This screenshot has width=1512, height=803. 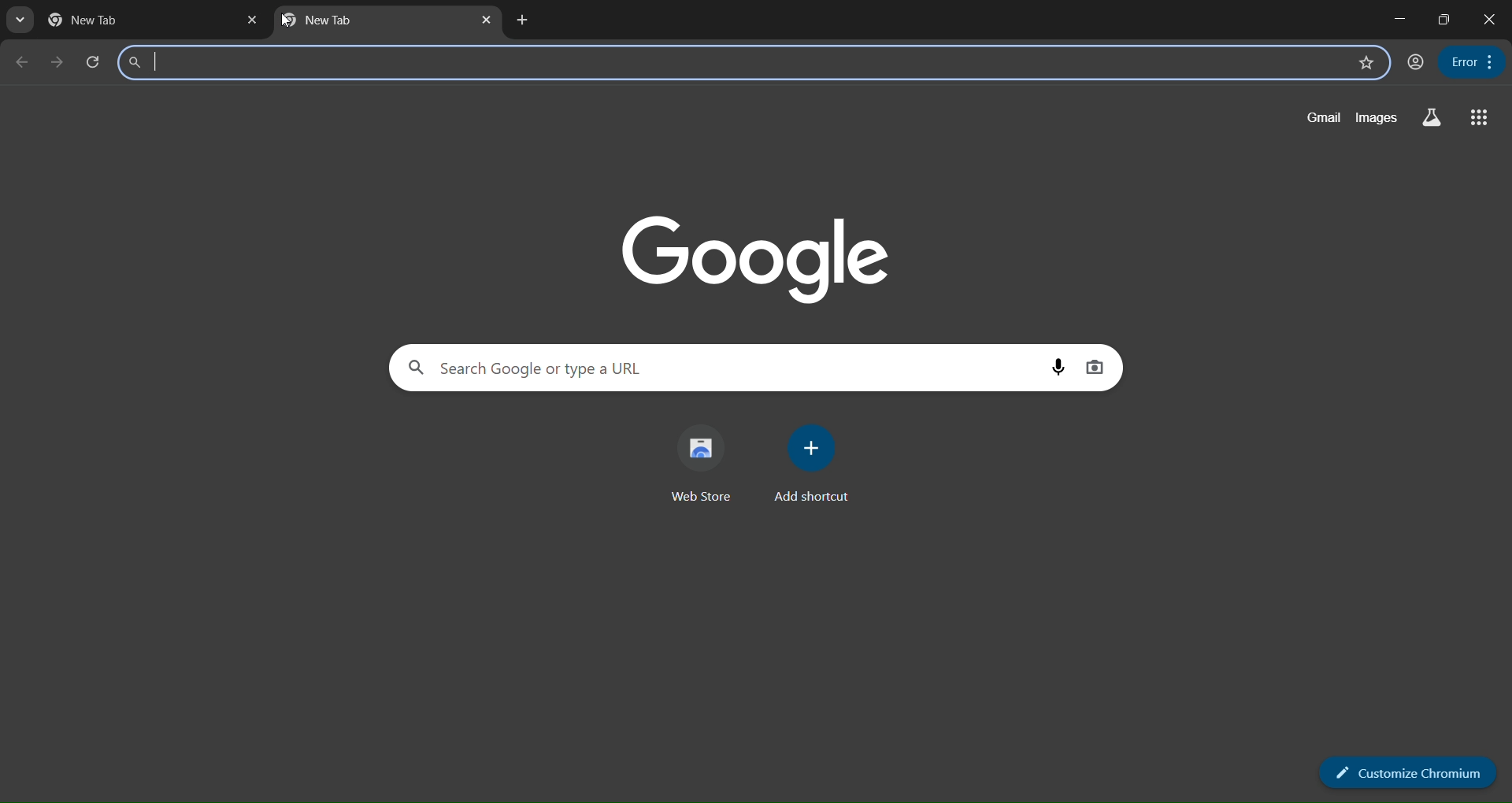 What do you see at coordinates (1321, 121) in the screenshot?
I see `gmail` at bounding box center [1321, 121].